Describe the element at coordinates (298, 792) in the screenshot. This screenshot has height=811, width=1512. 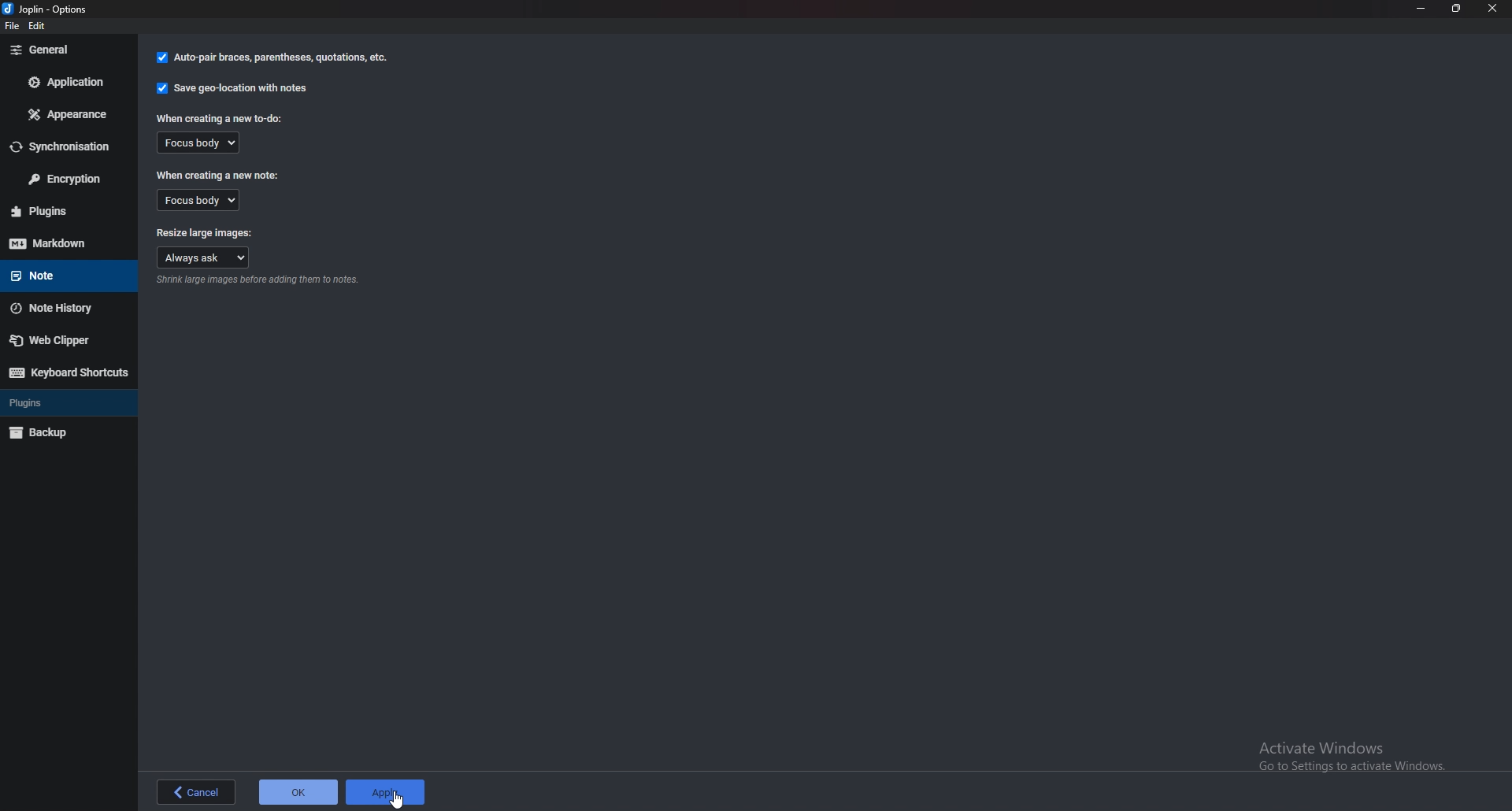
I see `ok` at that location.